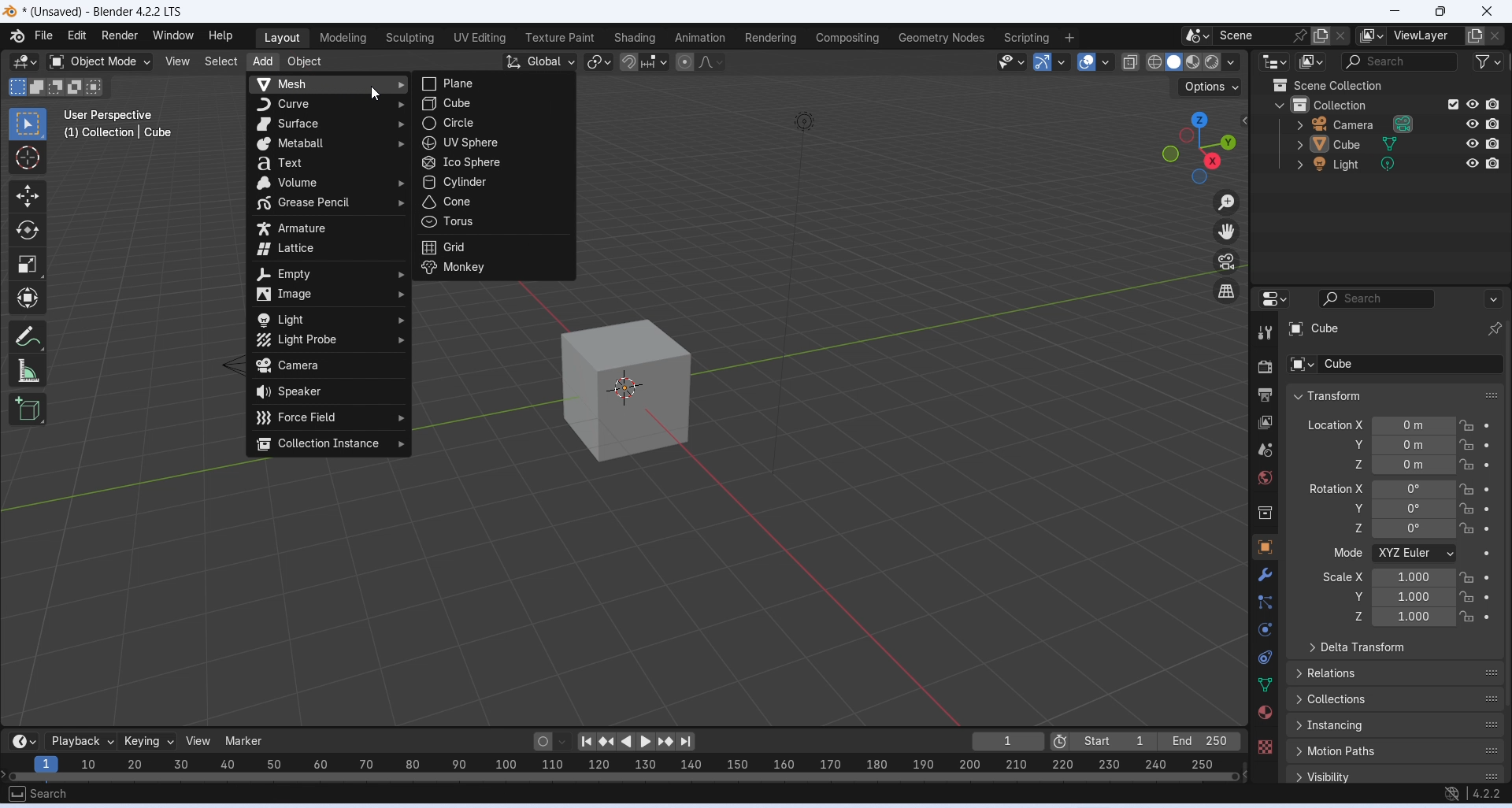  Describe the element at coordinates (1425, 35) in the screenshot. I see `view layer` at that location.